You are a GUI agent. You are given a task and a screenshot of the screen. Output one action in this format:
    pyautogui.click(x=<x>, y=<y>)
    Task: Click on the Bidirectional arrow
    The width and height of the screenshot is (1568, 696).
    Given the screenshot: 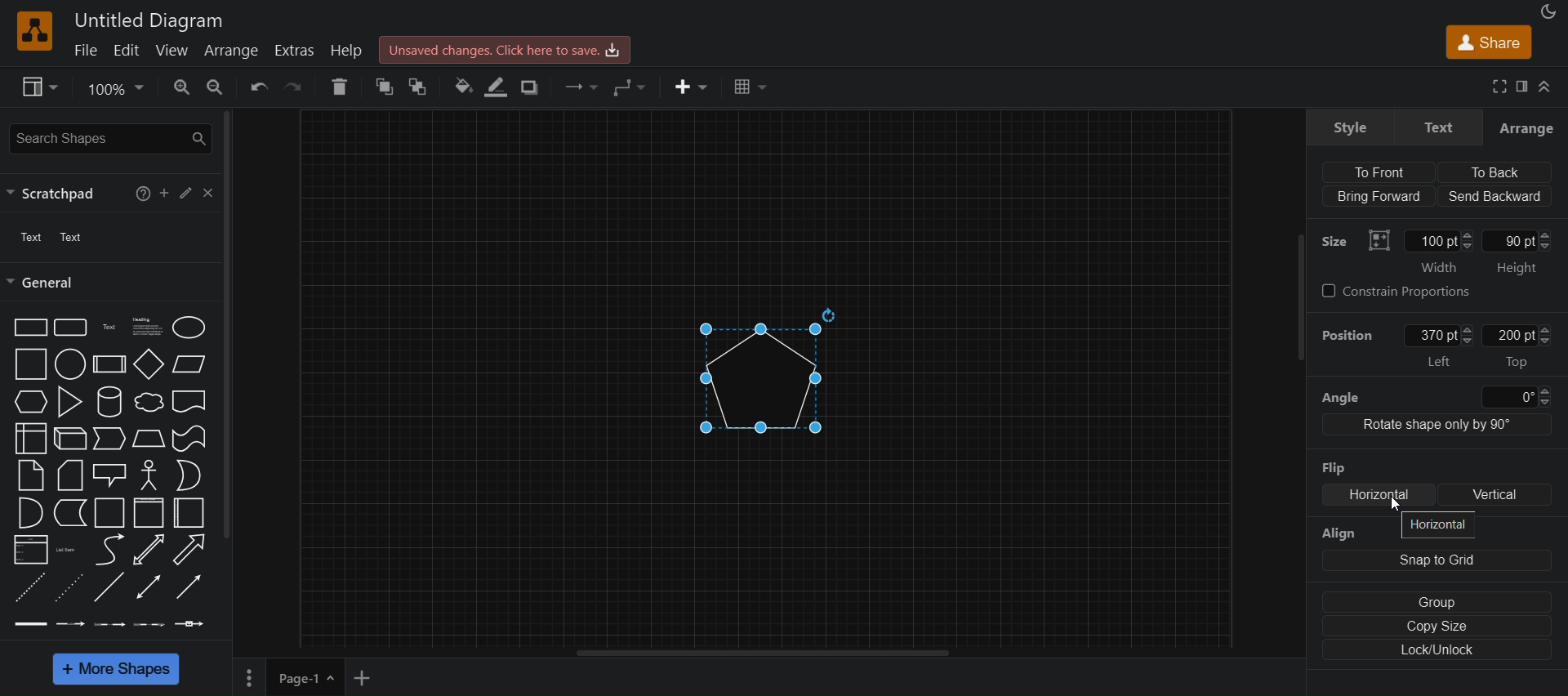 What is the action you would take?
    pyautogui.click(x=148, y=550)
    